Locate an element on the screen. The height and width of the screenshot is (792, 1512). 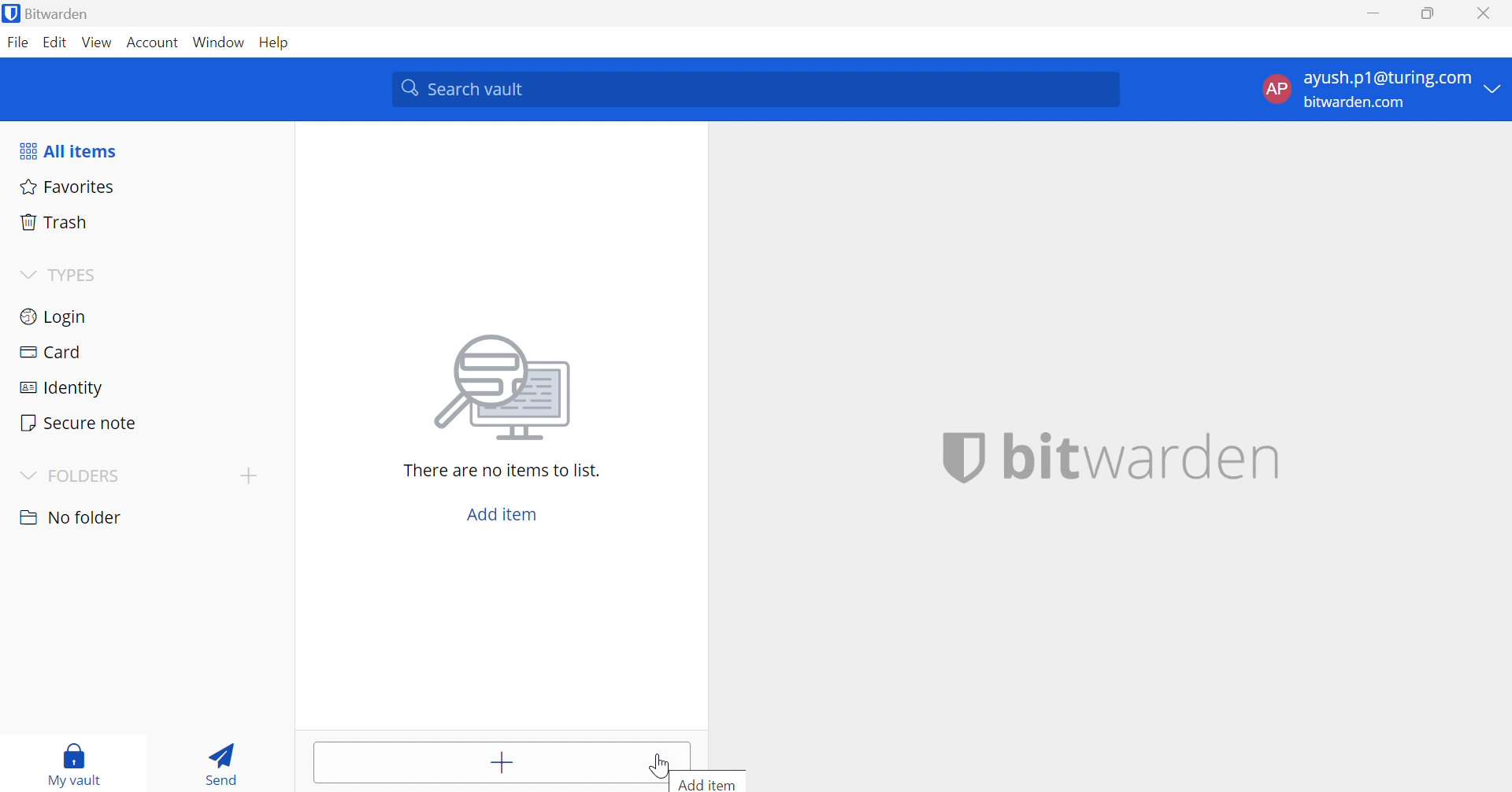
Card is located at coordinates (141, 349).